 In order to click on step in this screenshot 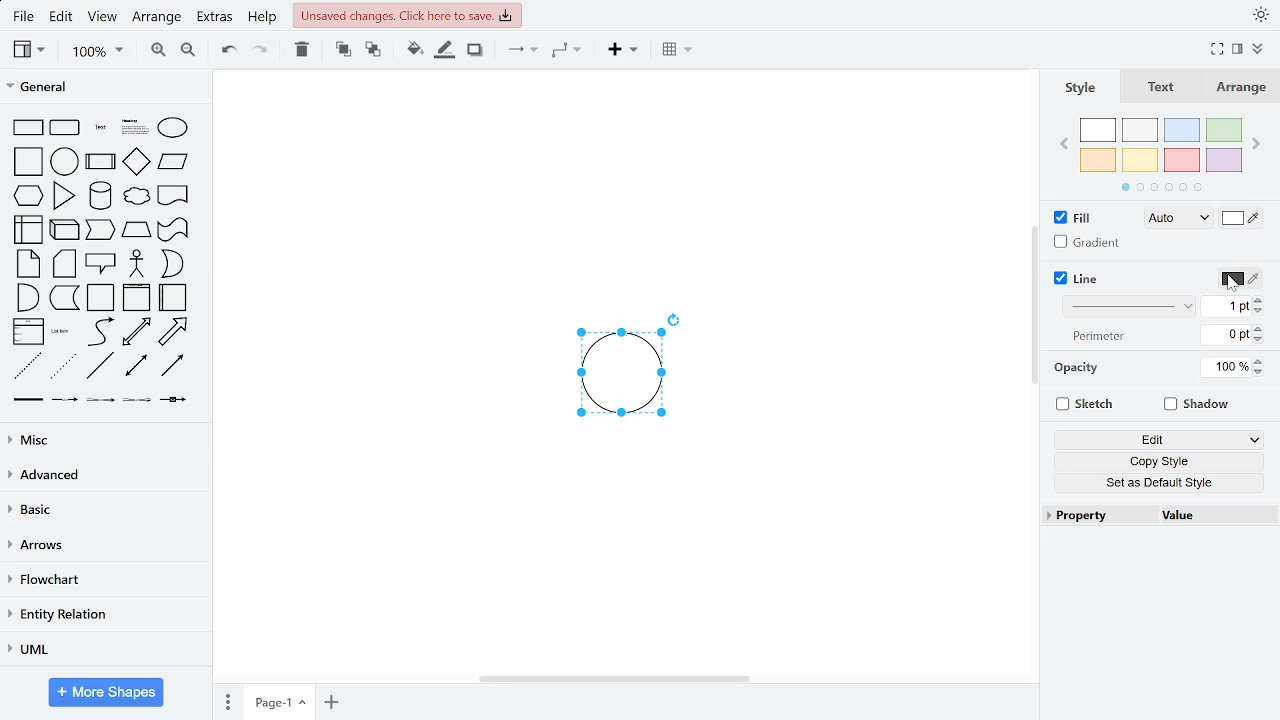, I will do `click(101, 231)`.